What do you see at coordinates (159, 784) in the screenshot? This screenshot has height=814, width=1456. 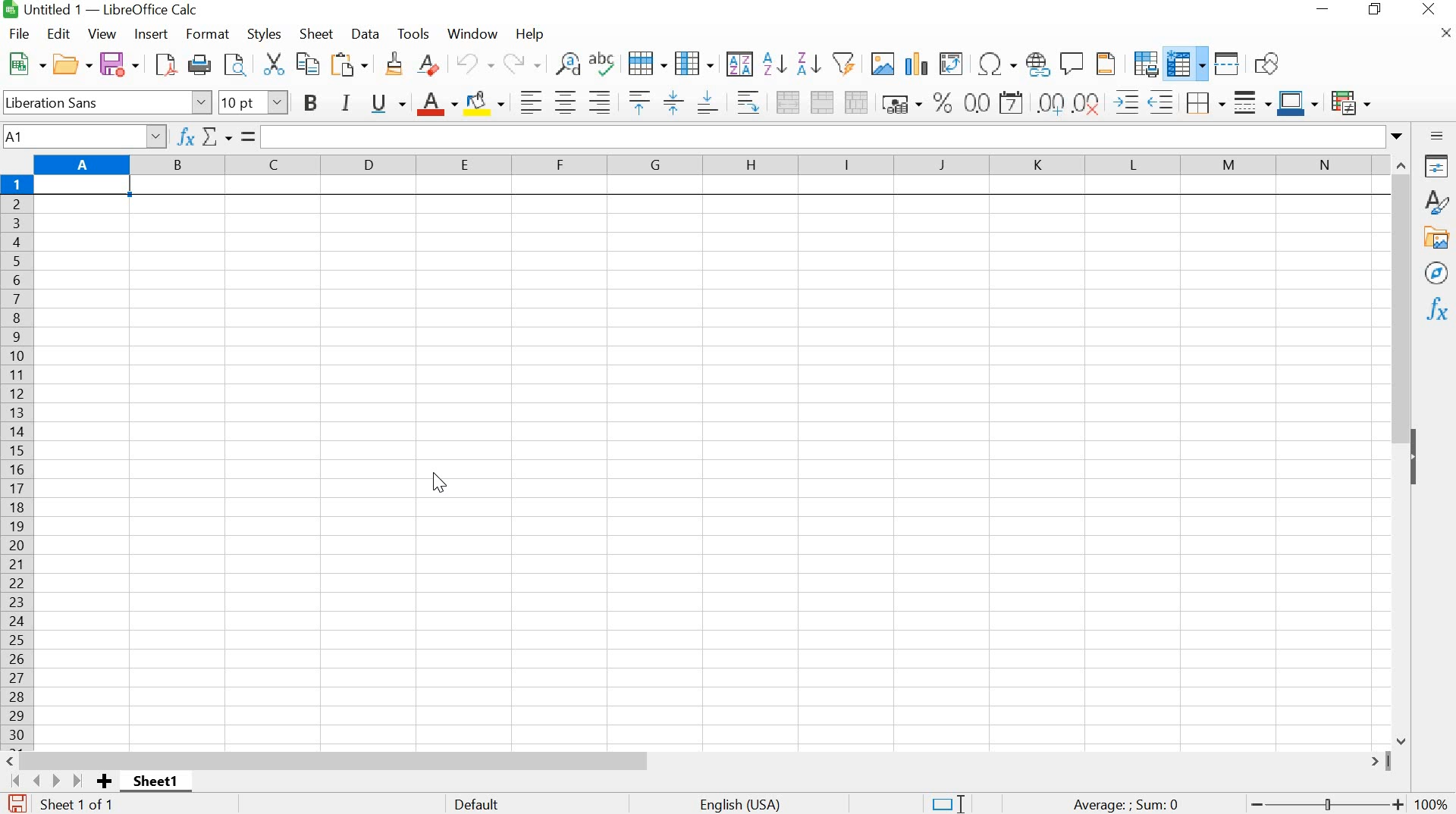 I see `SHEET` at bounding box center [159, 784].